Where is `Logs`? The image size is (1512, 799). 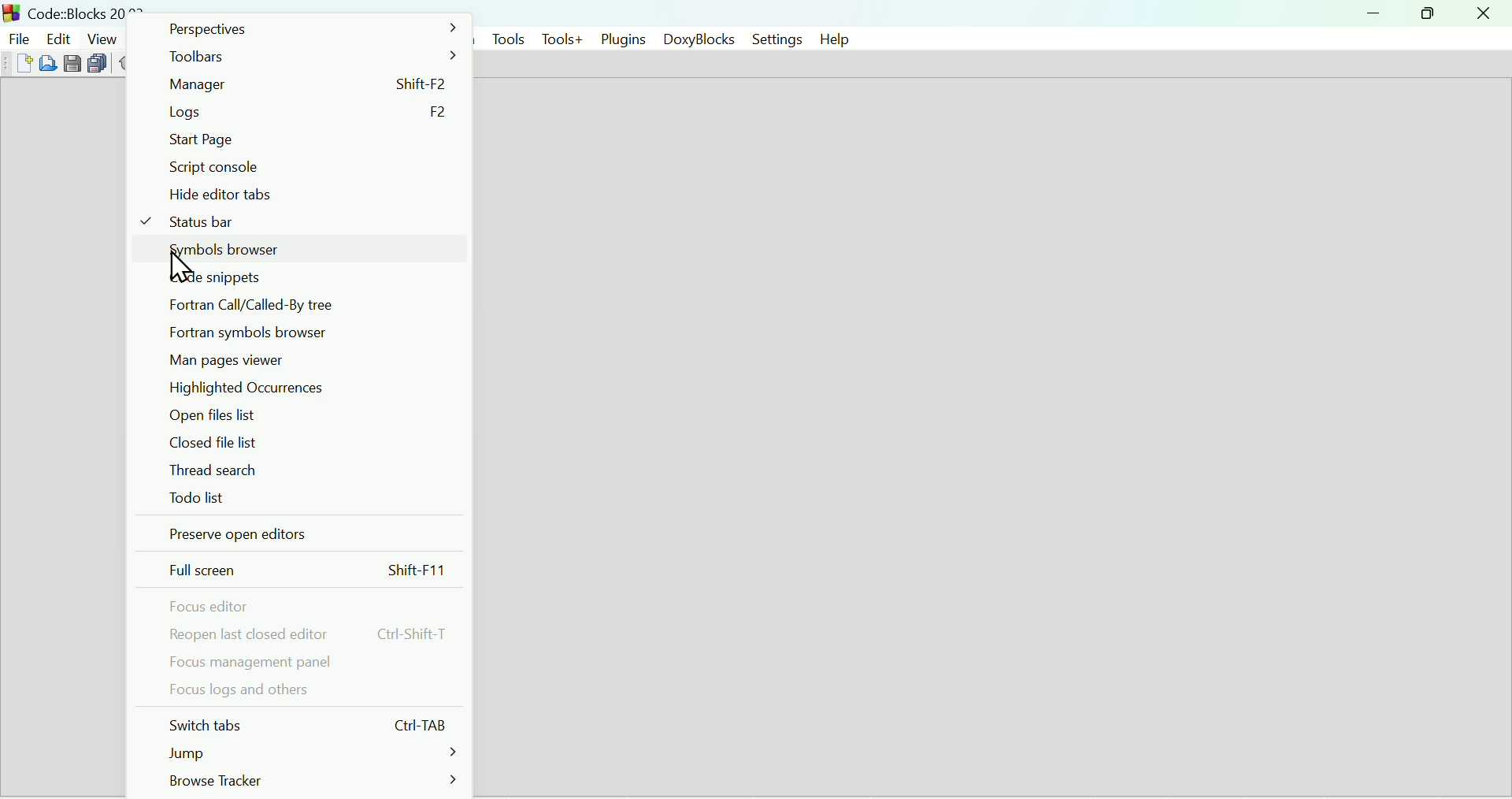
Logs is located at coordinates (306, 113).